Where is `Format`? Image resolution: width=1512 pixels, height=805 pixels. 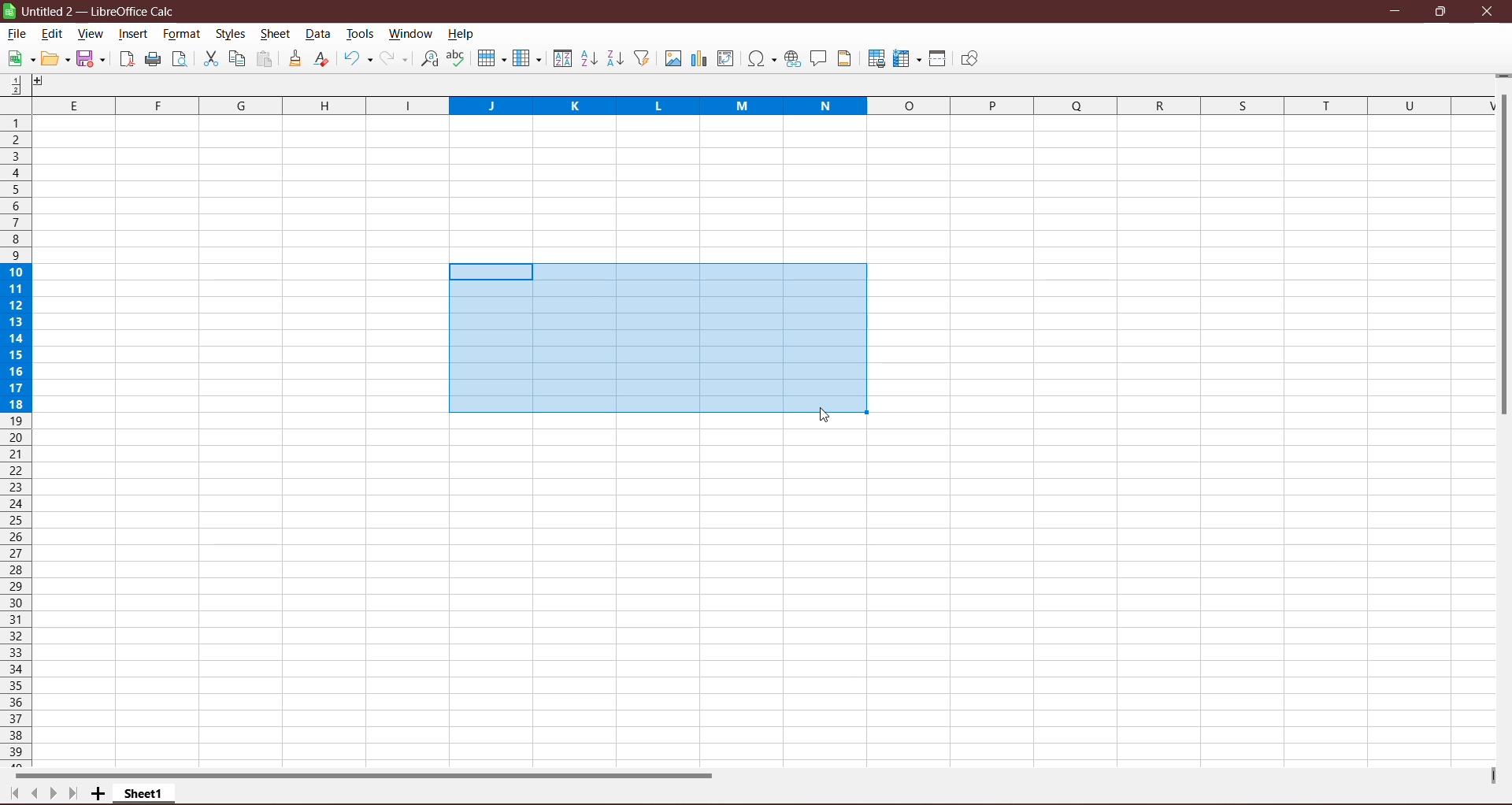 Format is located at coordinates (181, 34).